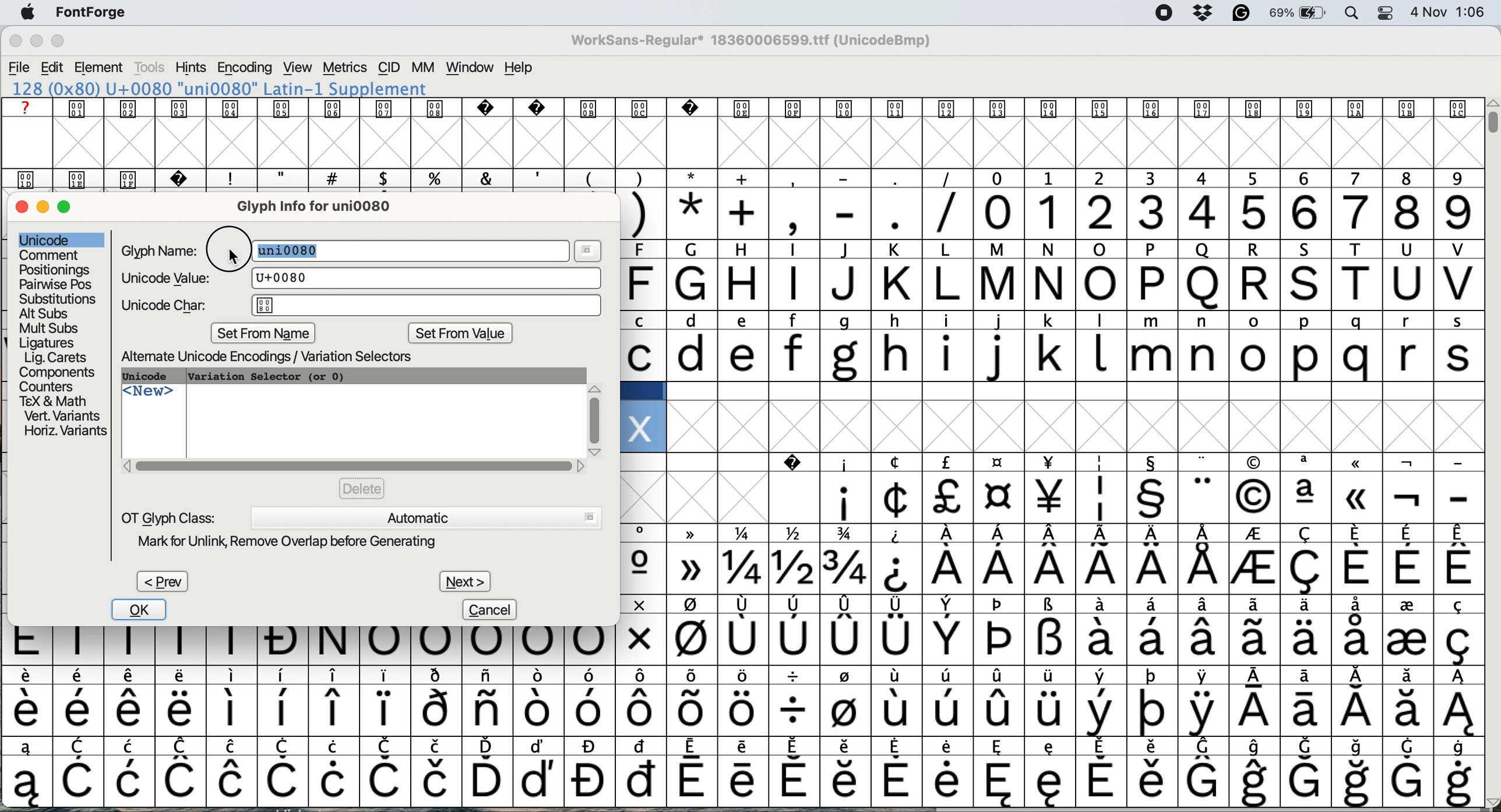 The width and height of the screenshot is (1501, 812). I want to click on spotlight search, so click(1352, 14).